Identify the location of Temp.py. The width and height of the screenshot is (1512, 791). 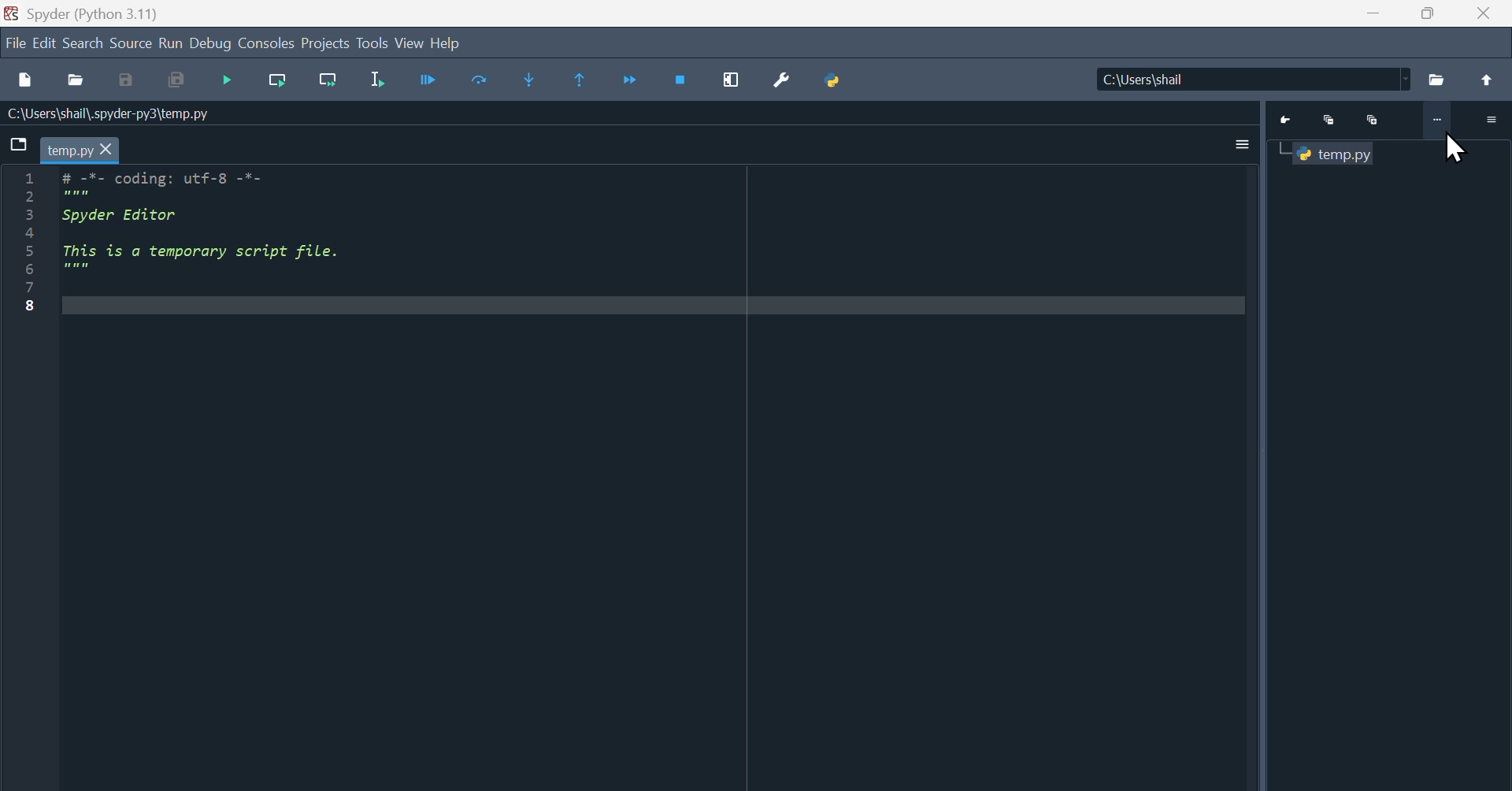
(1339, 154).